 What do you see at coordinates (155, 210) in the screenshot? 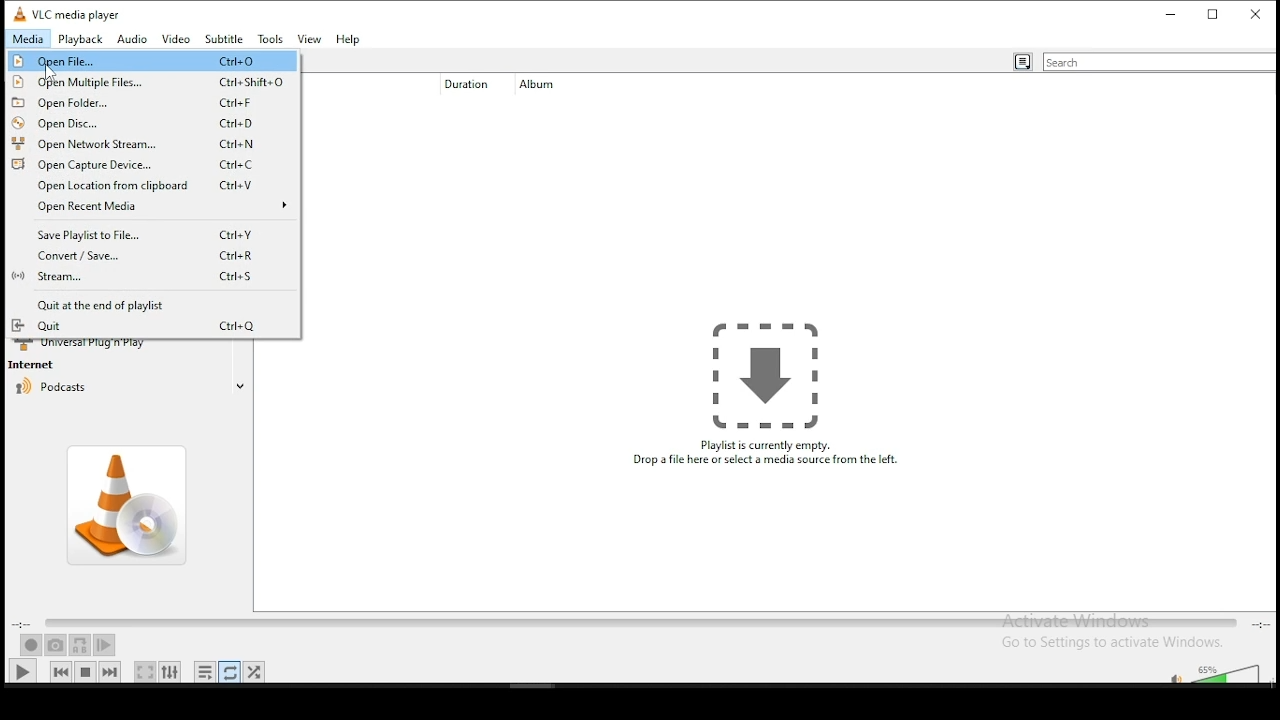
I see `open recent media` at bounding box center [155, 210].